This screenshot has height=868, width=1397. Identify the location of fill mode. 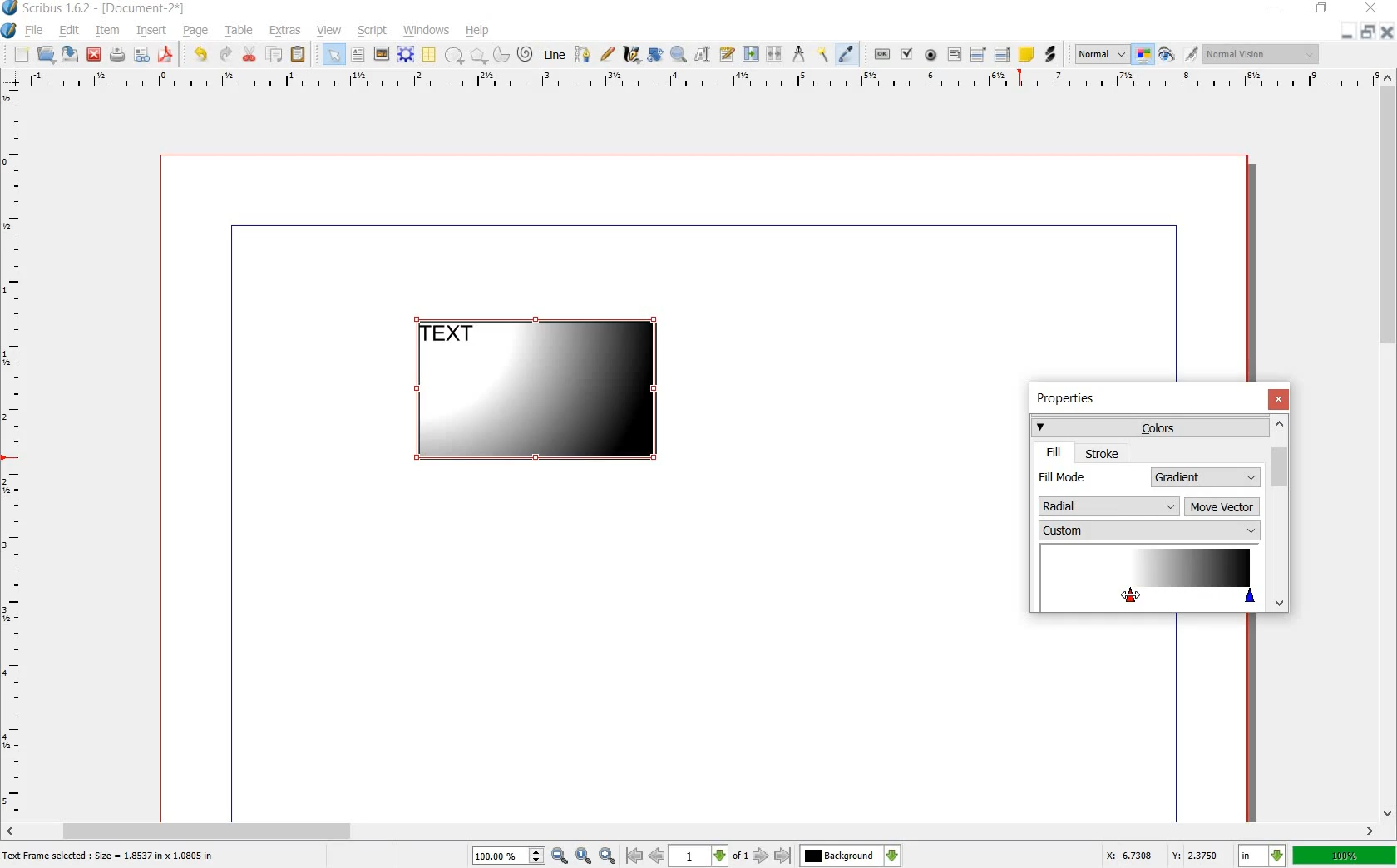
(1091, 476).